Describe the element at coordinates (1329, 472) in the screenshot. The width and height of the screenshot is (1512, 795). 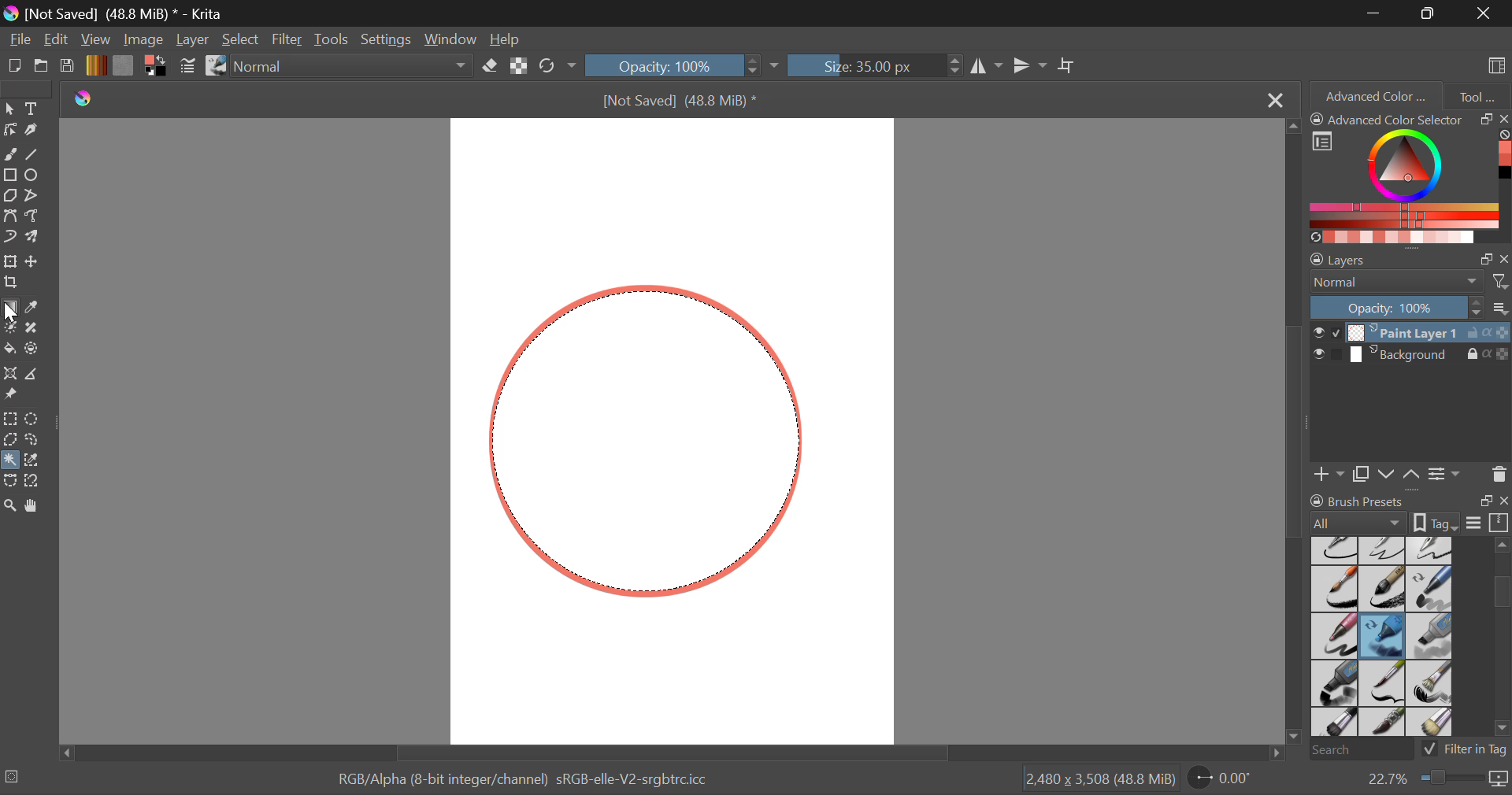
I see `Add Layer` at that location.